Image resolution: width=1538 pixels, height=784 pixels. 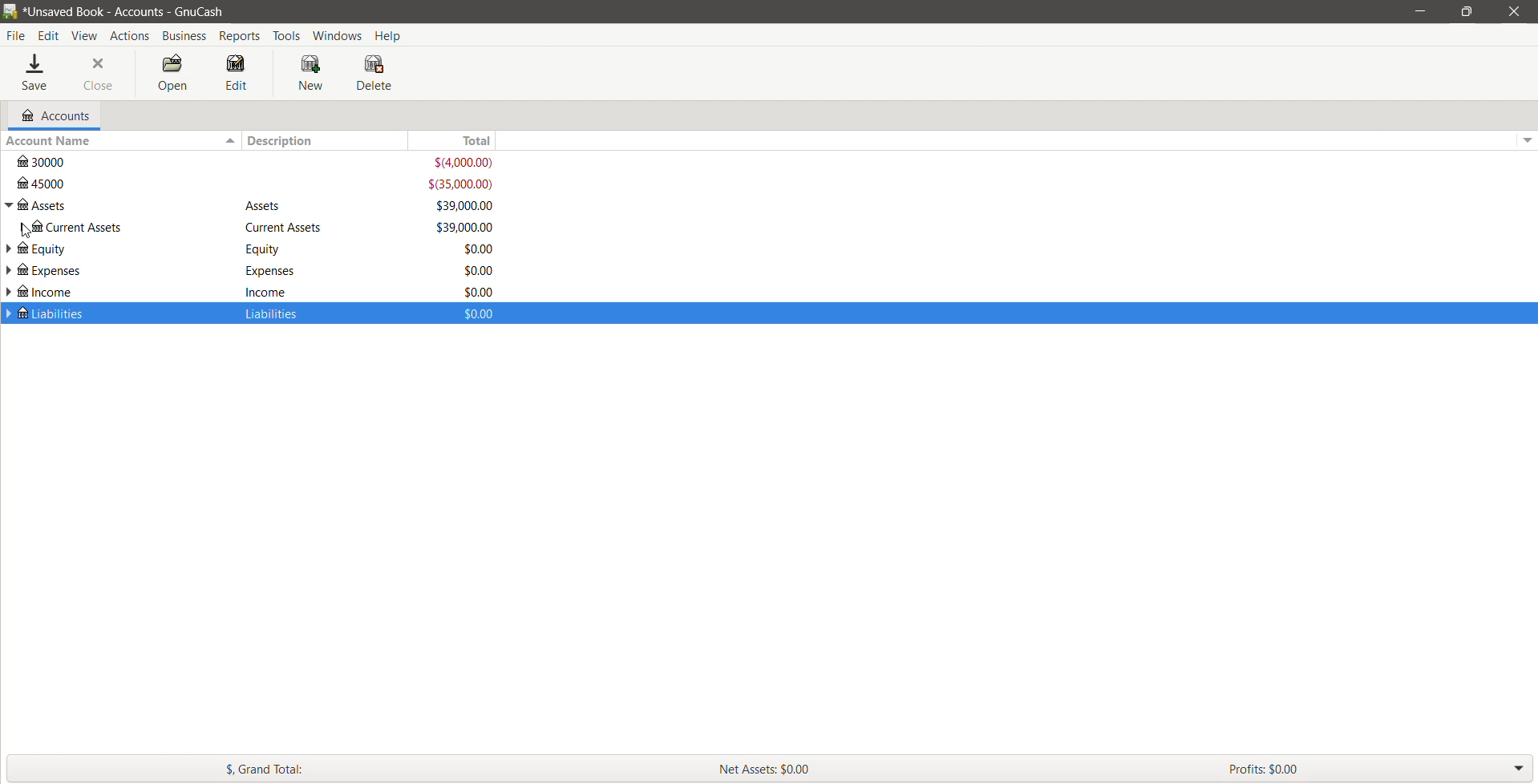 I want to click on $0.00, so click(x=476, y=249).